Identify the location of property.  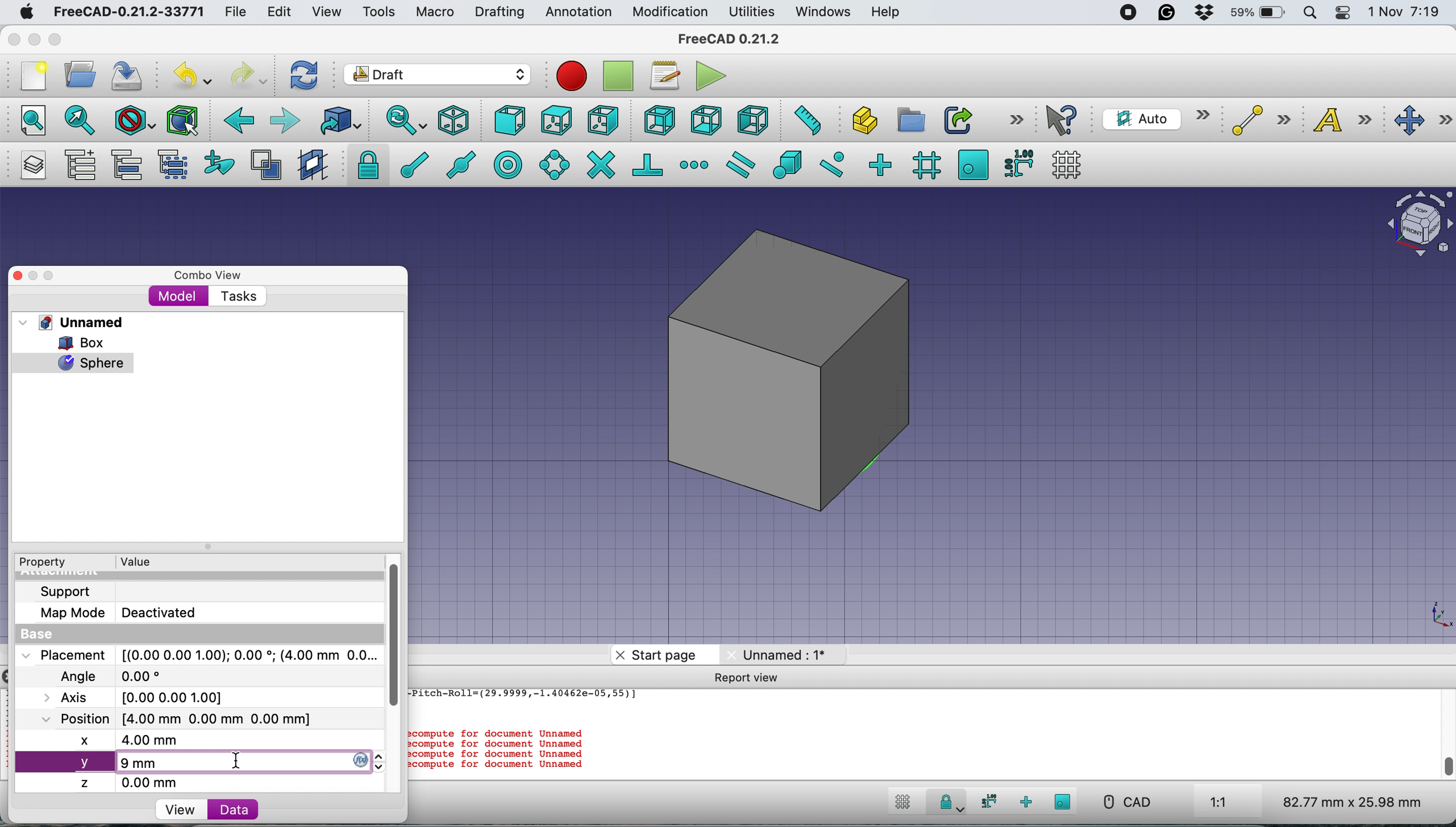
(51, 562).